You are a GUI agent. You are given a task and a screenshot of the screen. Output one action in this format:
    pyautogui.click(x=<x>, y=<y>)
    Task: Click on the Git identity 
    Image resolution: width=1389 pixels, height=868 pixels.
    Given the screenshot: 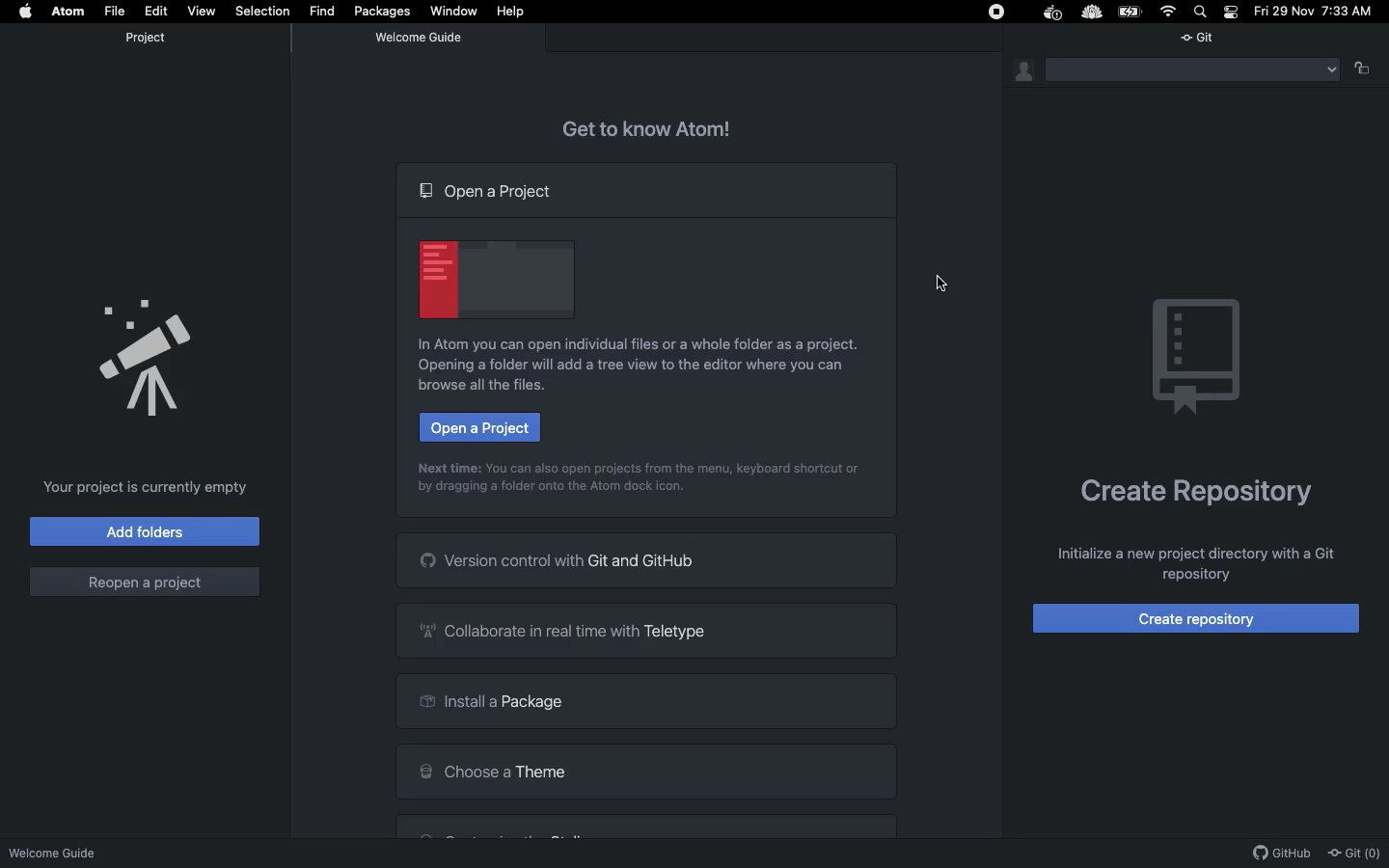 What is the action you would take?
    pyautogui.click(x=1026, y=72)
    